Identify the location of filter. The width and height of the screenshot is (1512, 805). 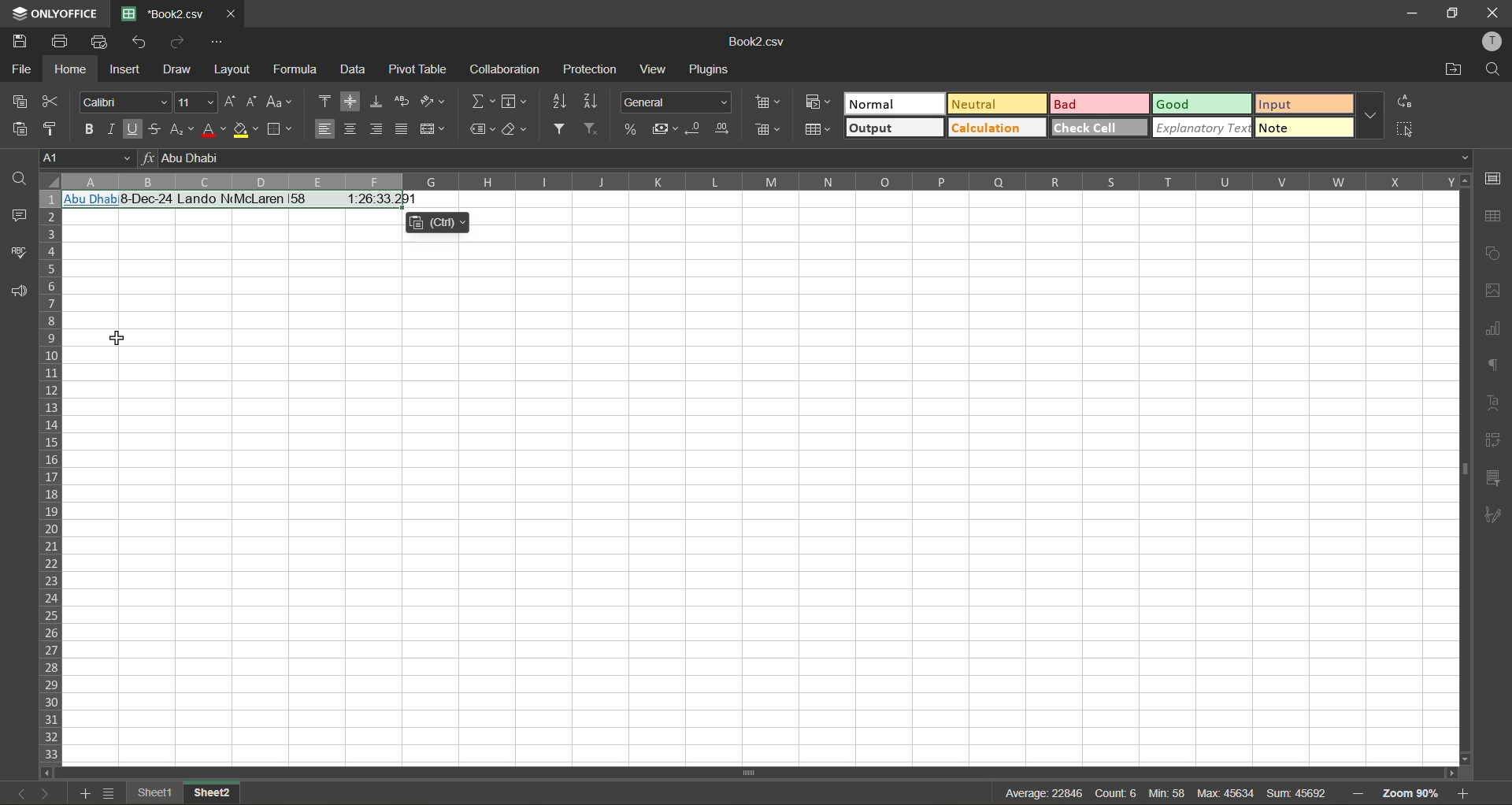
(564, 130).